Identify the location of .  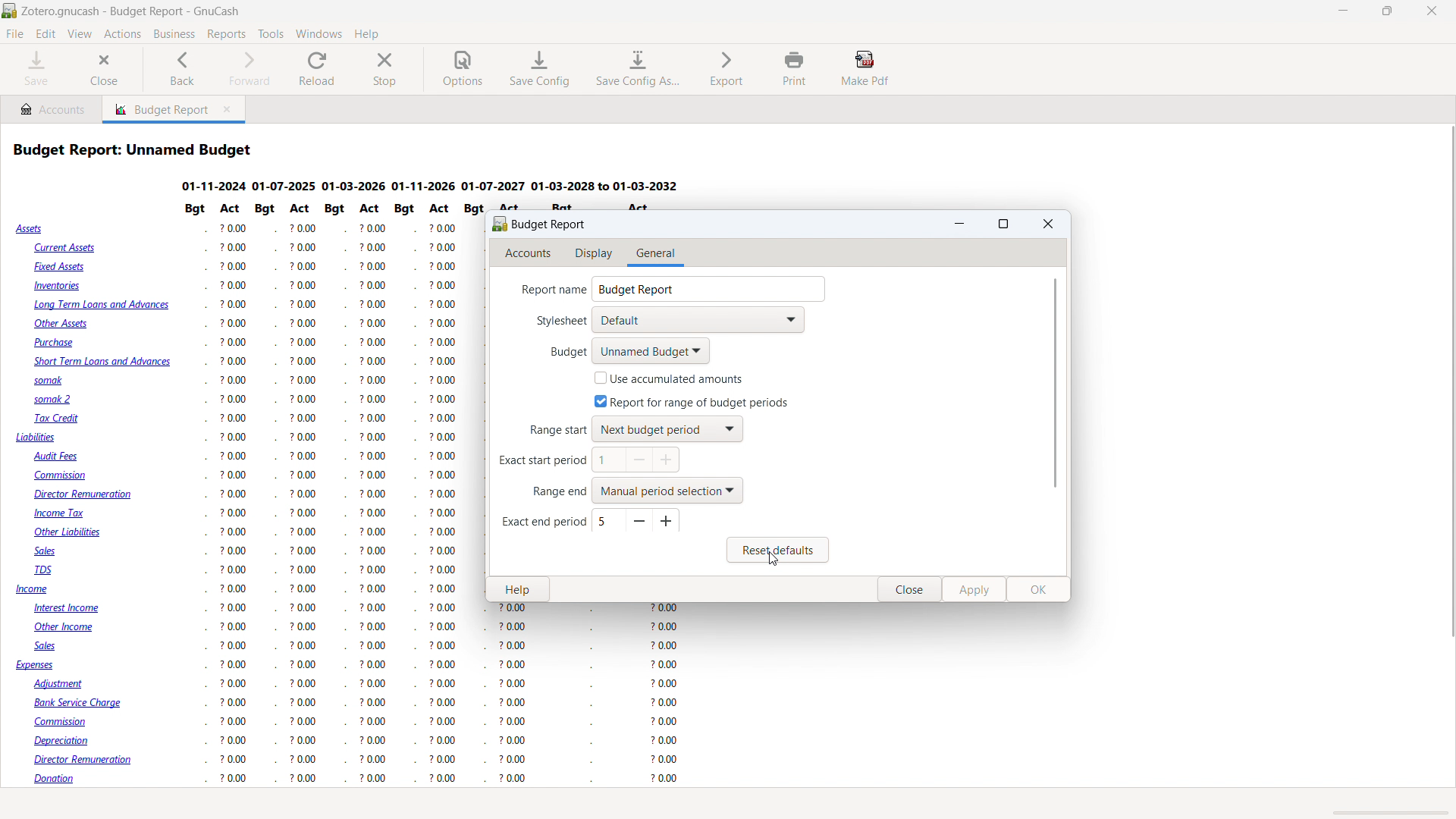
(320, 497).